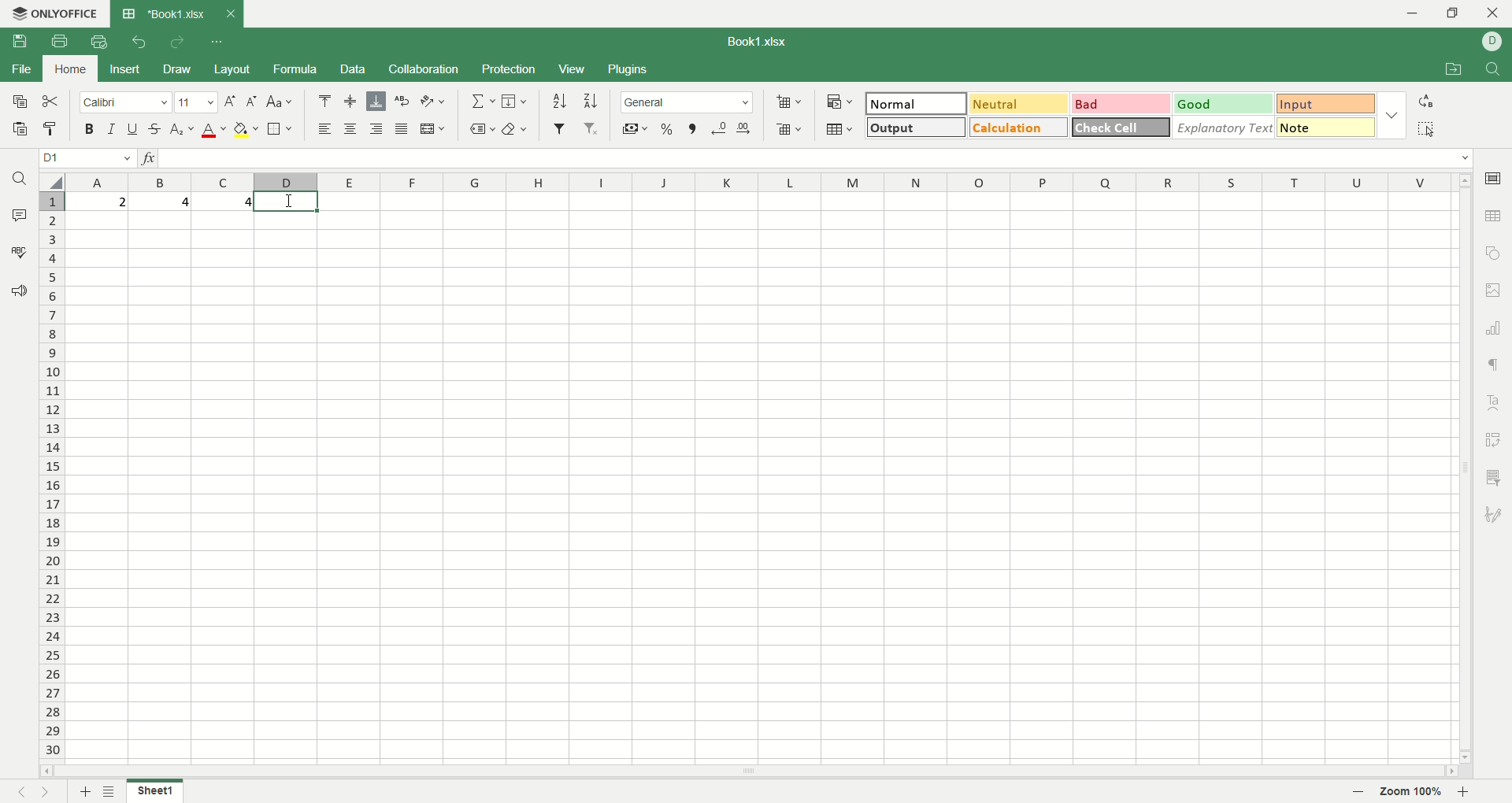 This screenshot has height=803, width=1512. What do you see at coordinates (230, 102) in the screenshot?
I see `increase font` at bounding box center [230, 102].